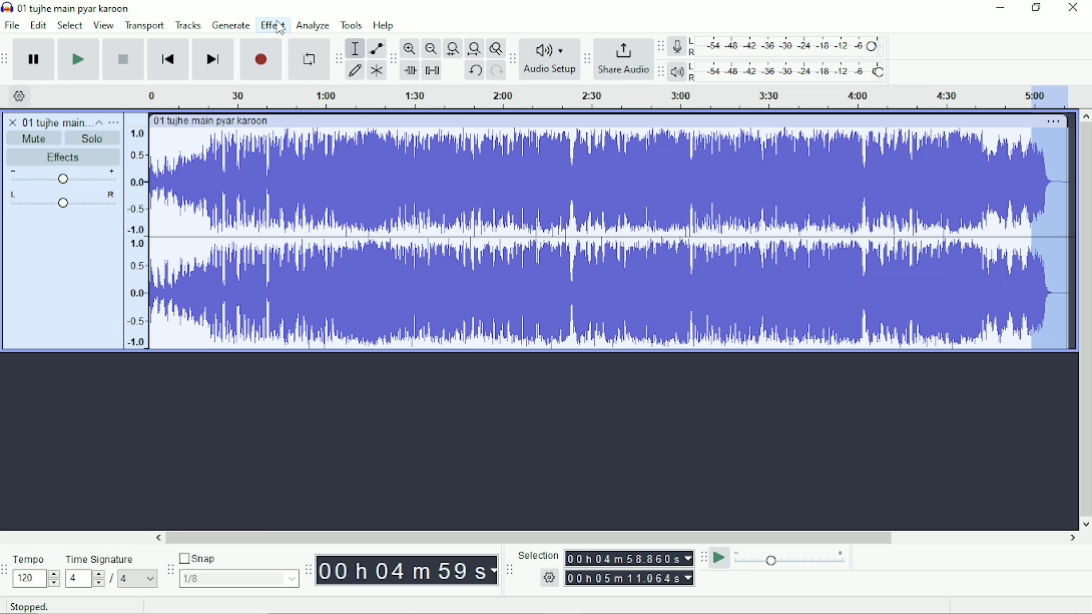 The height and width of the screenshot is (614, 1092). I want to click on Stopped, so click(27, 607).